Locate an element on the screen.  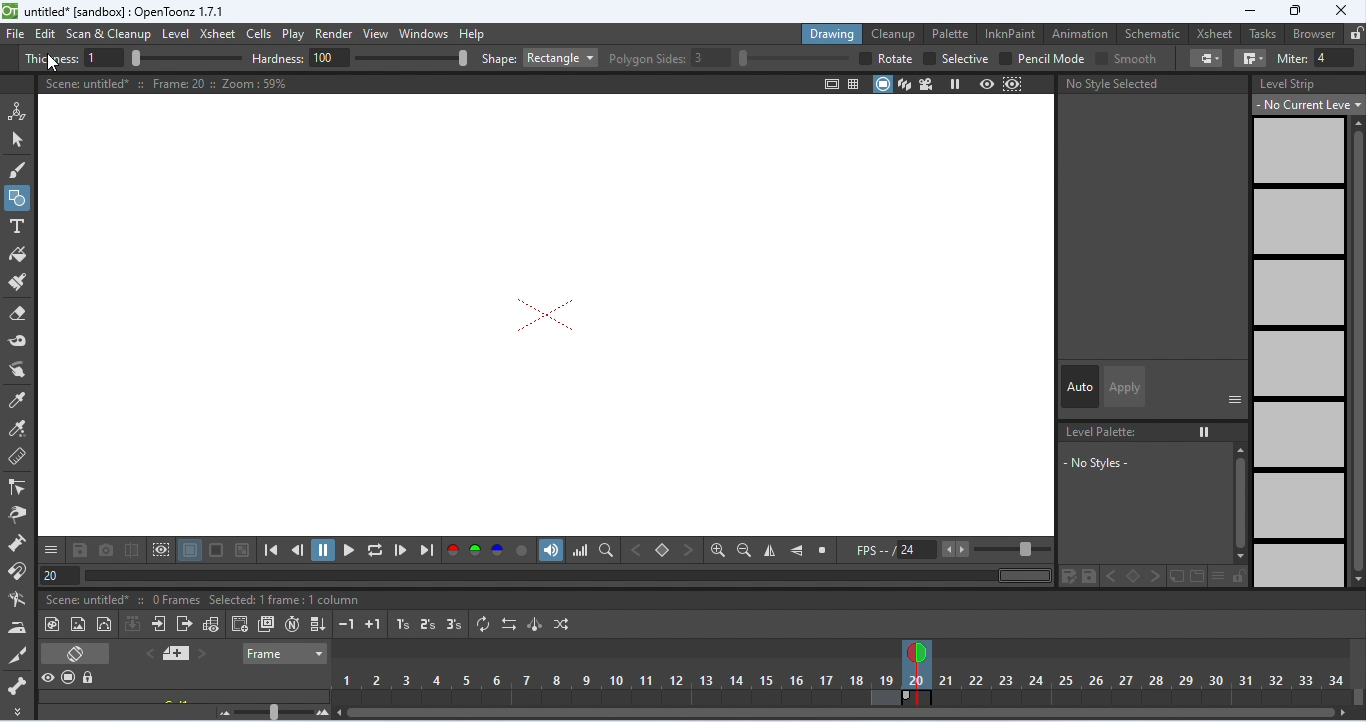
No level palette is located at coordinates (1106, 432).